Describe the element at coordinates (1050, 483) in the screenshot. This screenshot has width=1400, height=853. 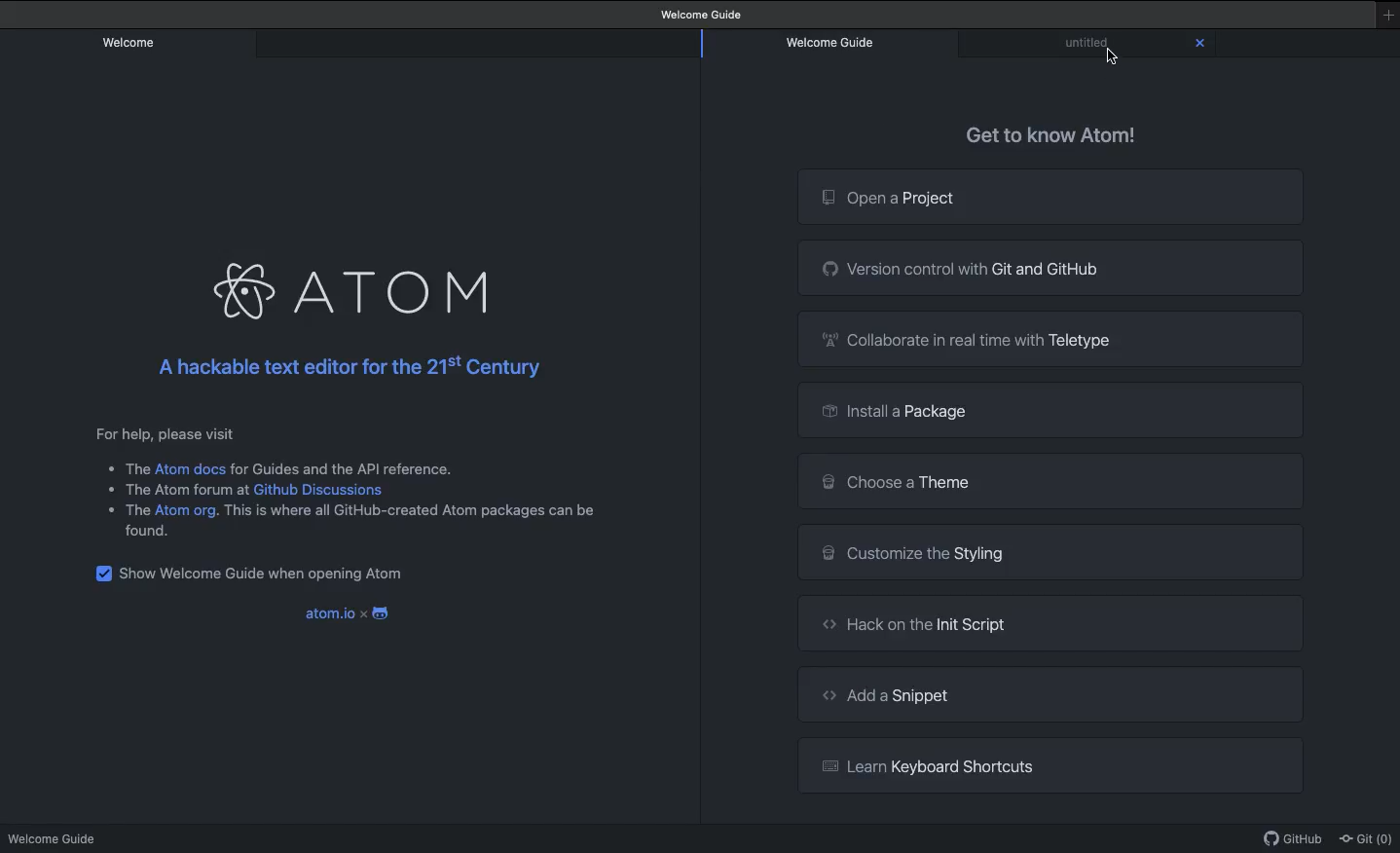
I see `Choose a theme` at that location.